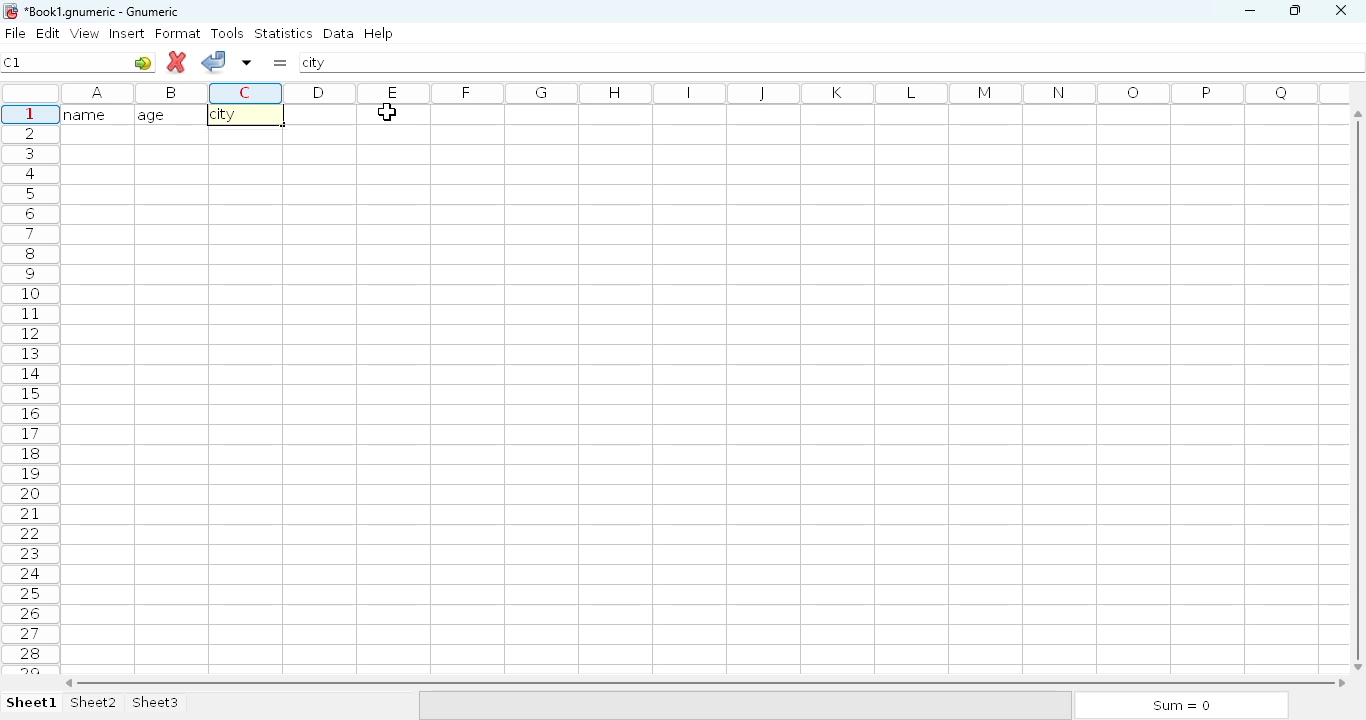  Describe the element at coordinates (1340, 11) in the screenshot. I see `close` at that location.